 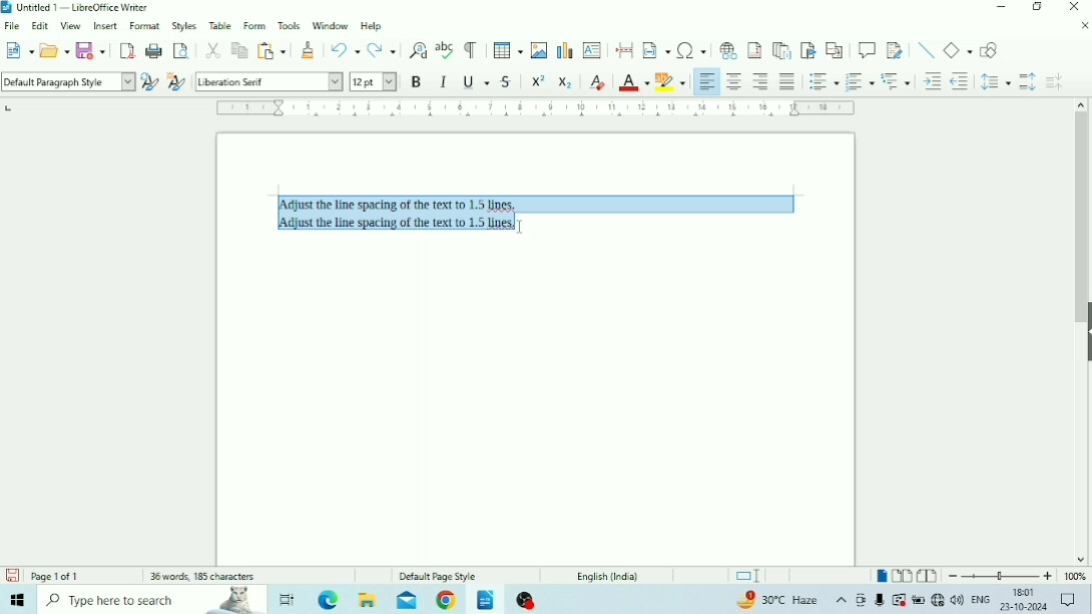 What do you see at coordinates (593, 50) in the screenshot?
I see `Insert Text Box` at bounding box center [593, 50].